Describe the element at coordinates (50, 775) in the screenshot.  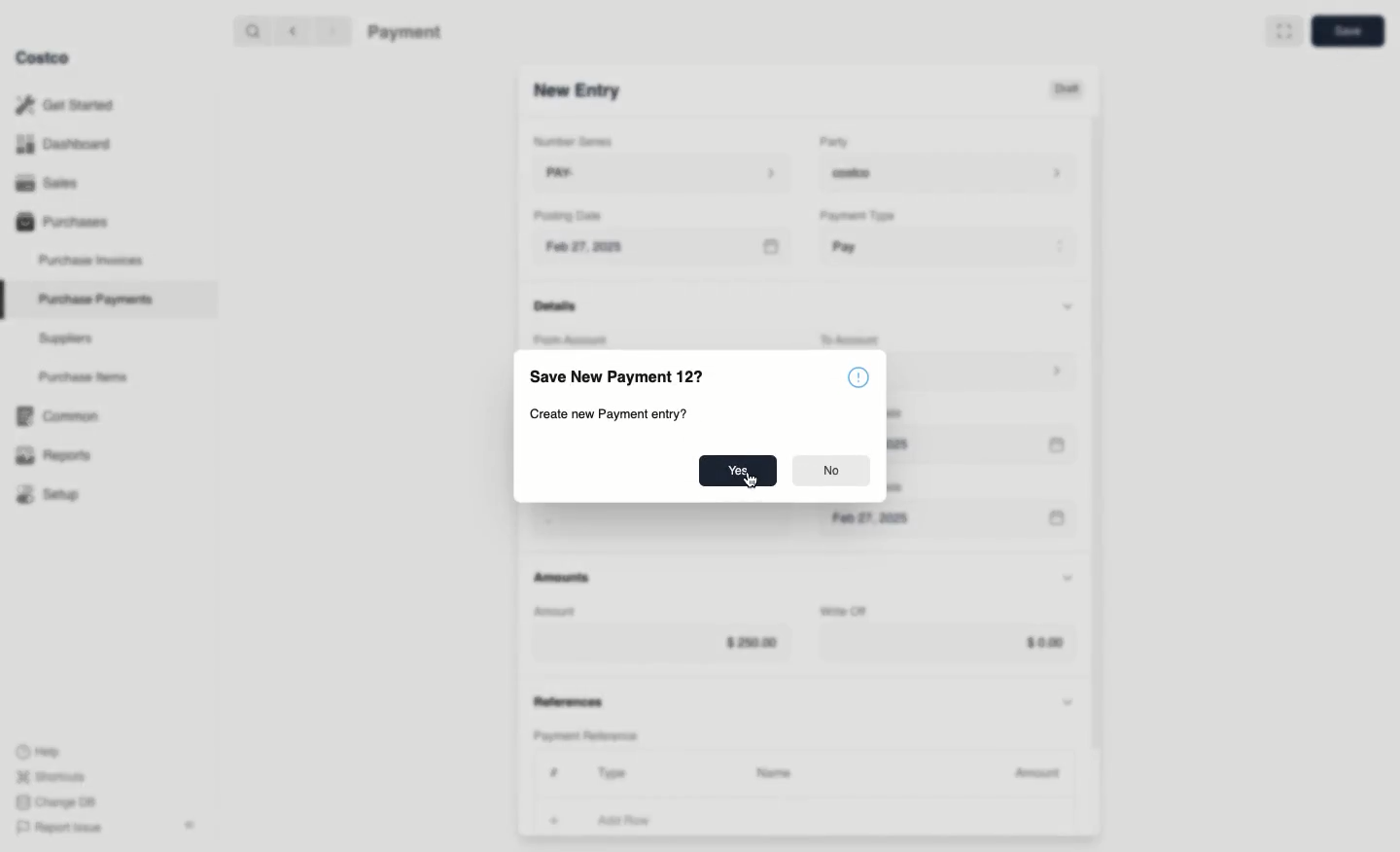
I see `Shortcuts` at that location.